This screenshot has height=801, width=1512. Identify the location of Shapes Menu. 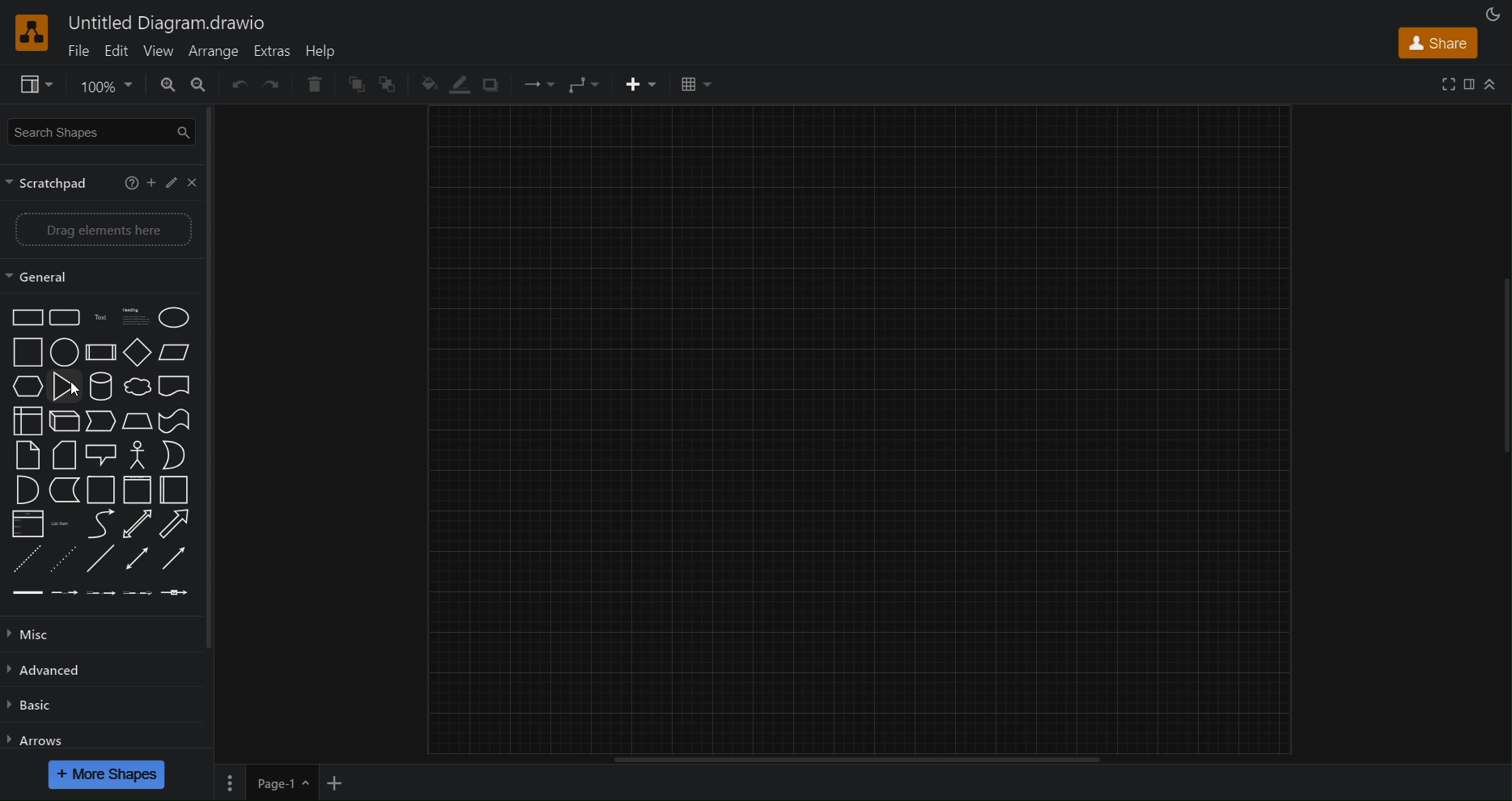
(100, 455).